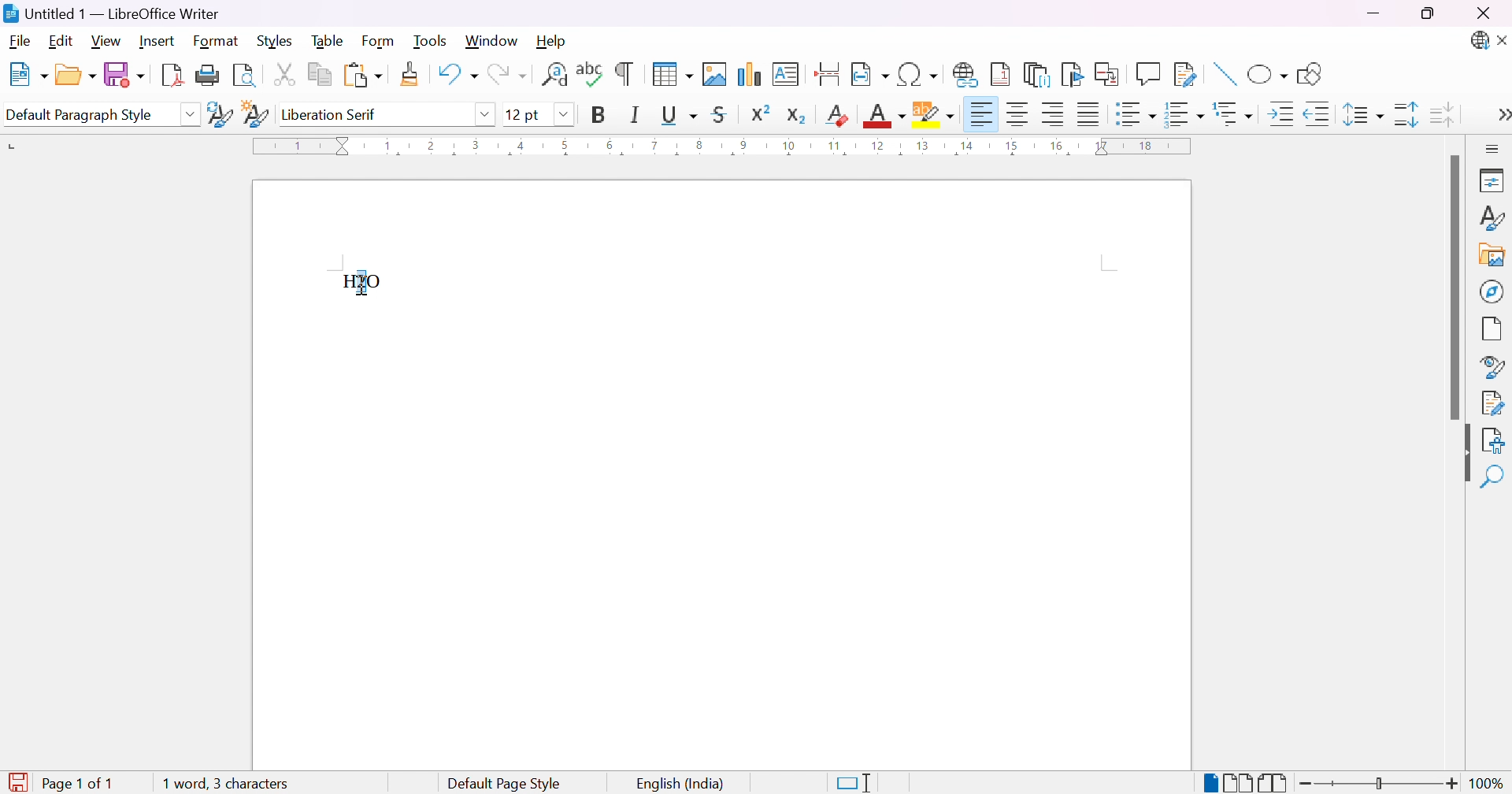 The image size is (1512, 794). I want to click on Character highlighting color, so click(935, 114).